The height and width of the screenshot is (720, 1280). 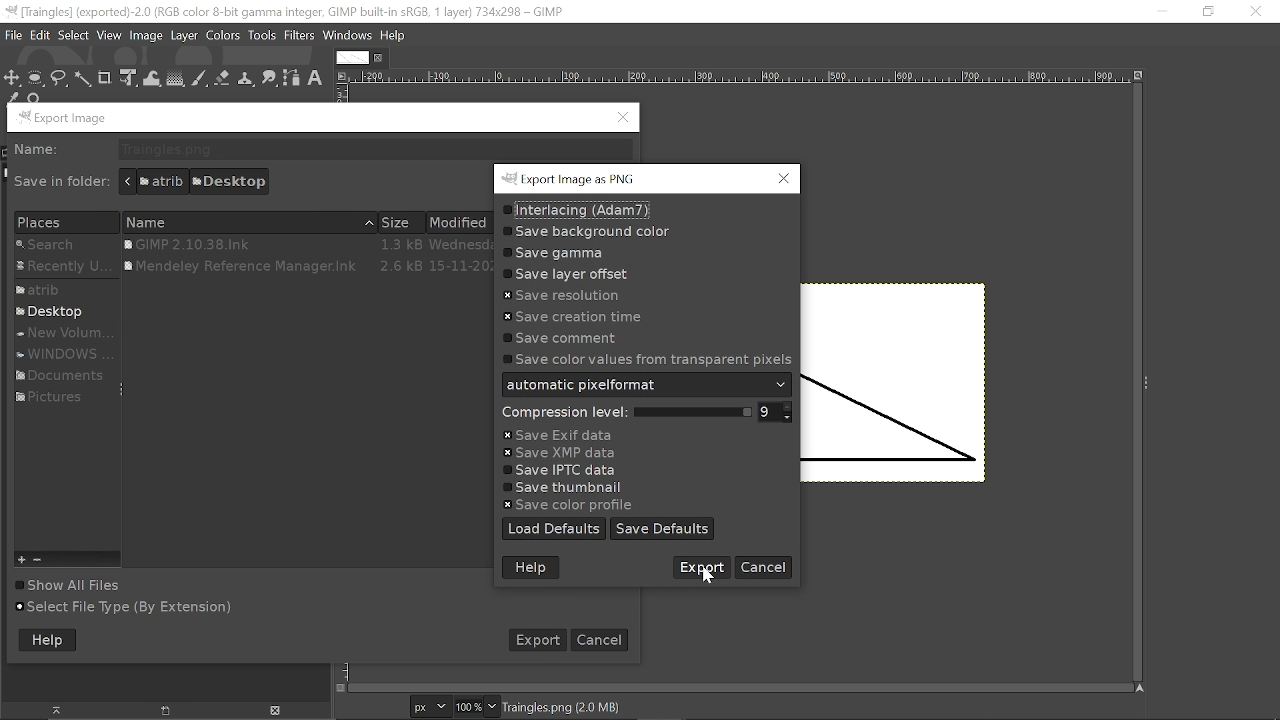 What do you see at coordinates (147, 37) in the screenshot?
I see `Image` at bounding box center [147, 37].